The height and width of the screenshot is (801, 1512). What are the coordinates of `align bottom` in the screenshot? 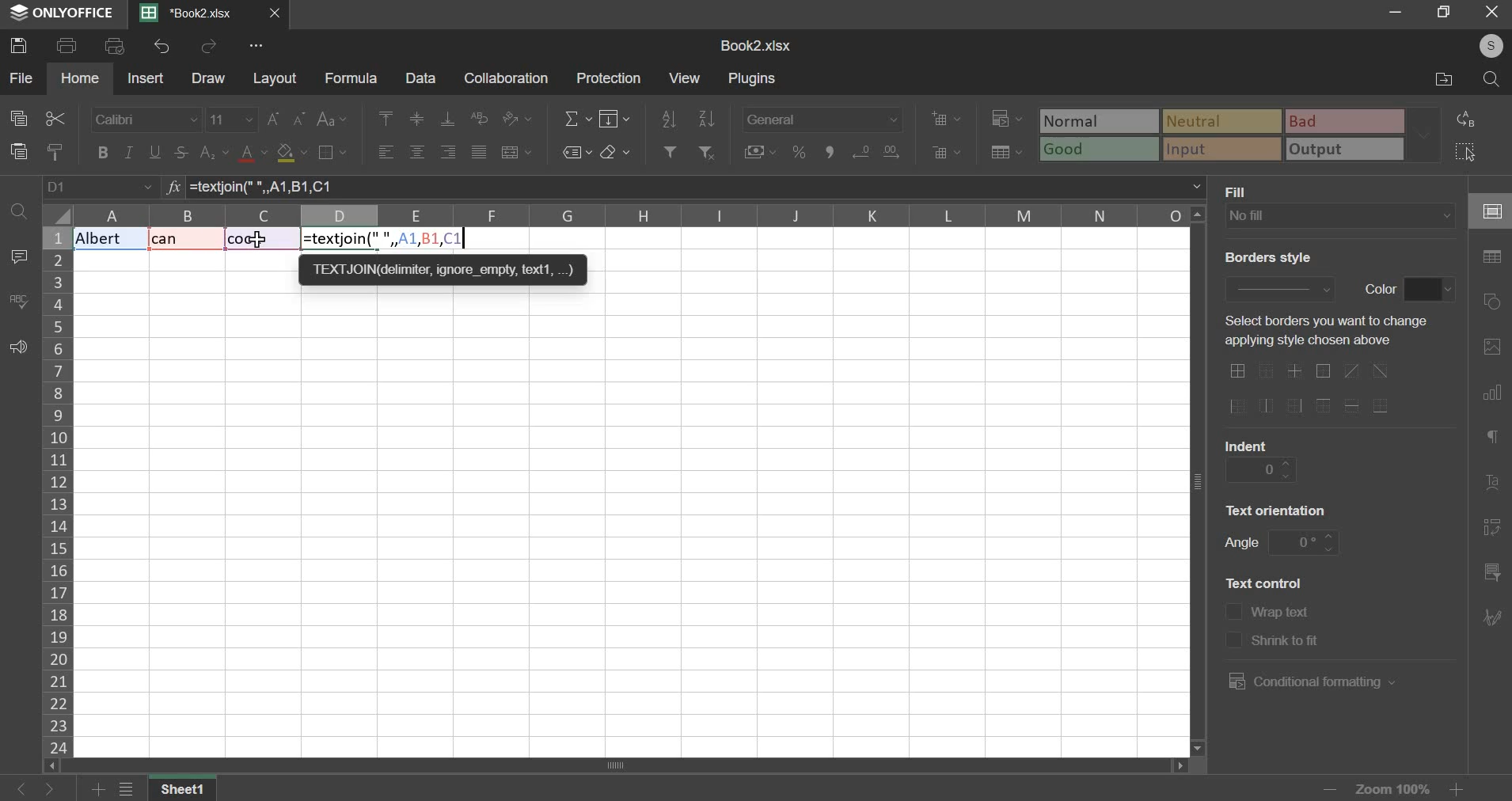 It's located at (448, 119).